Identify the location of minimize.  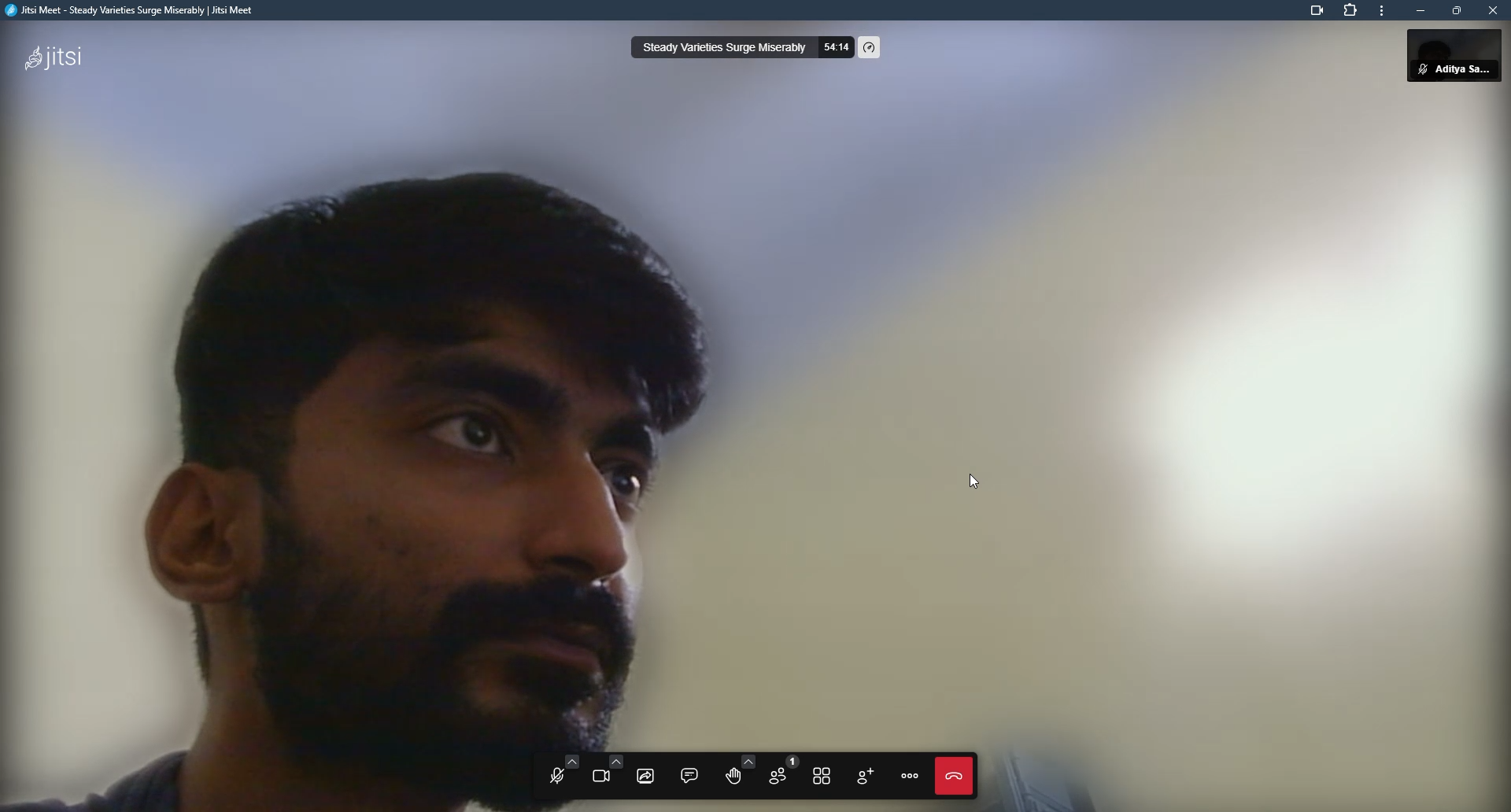
(1417, 11).